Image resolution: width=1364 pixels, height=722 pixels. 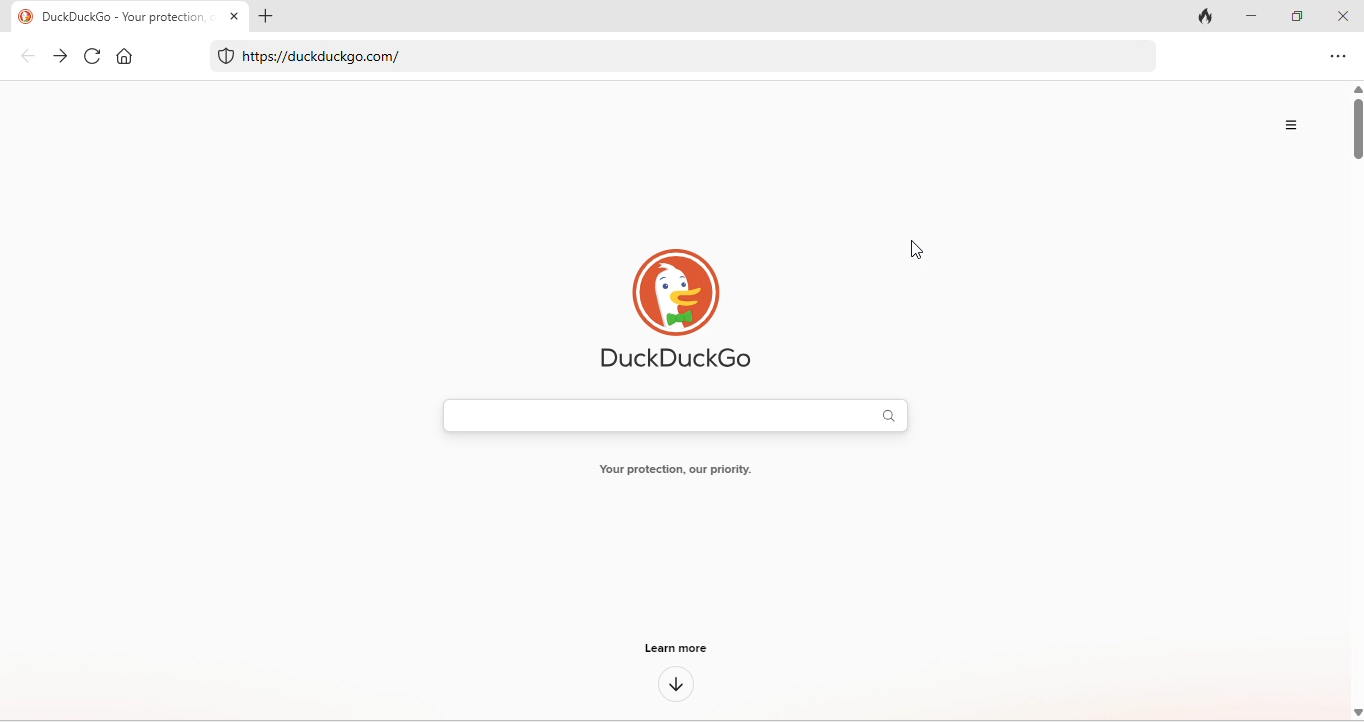 I want to click on option, so click(x=1341, y=60).